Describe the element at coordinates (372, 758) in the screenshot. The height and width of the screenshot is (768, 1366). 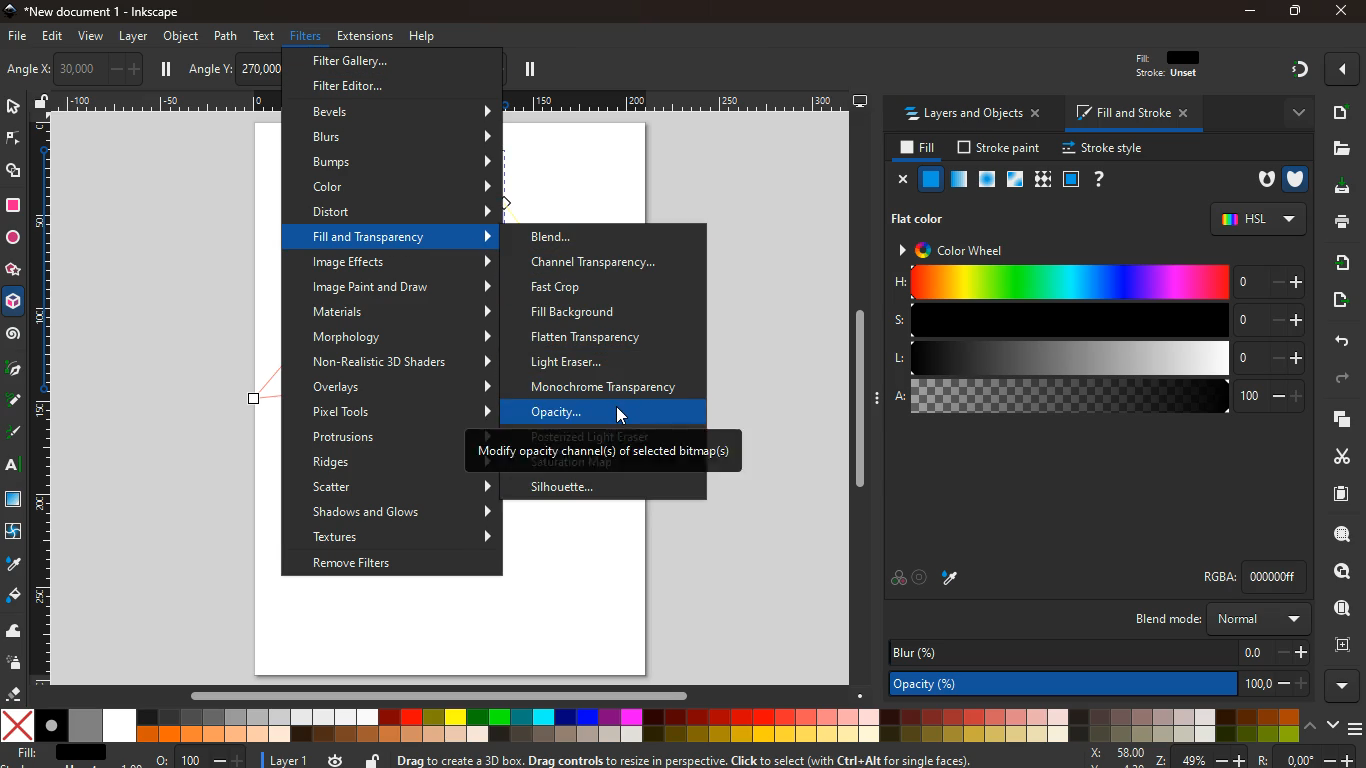
I see `unlock` at that location.